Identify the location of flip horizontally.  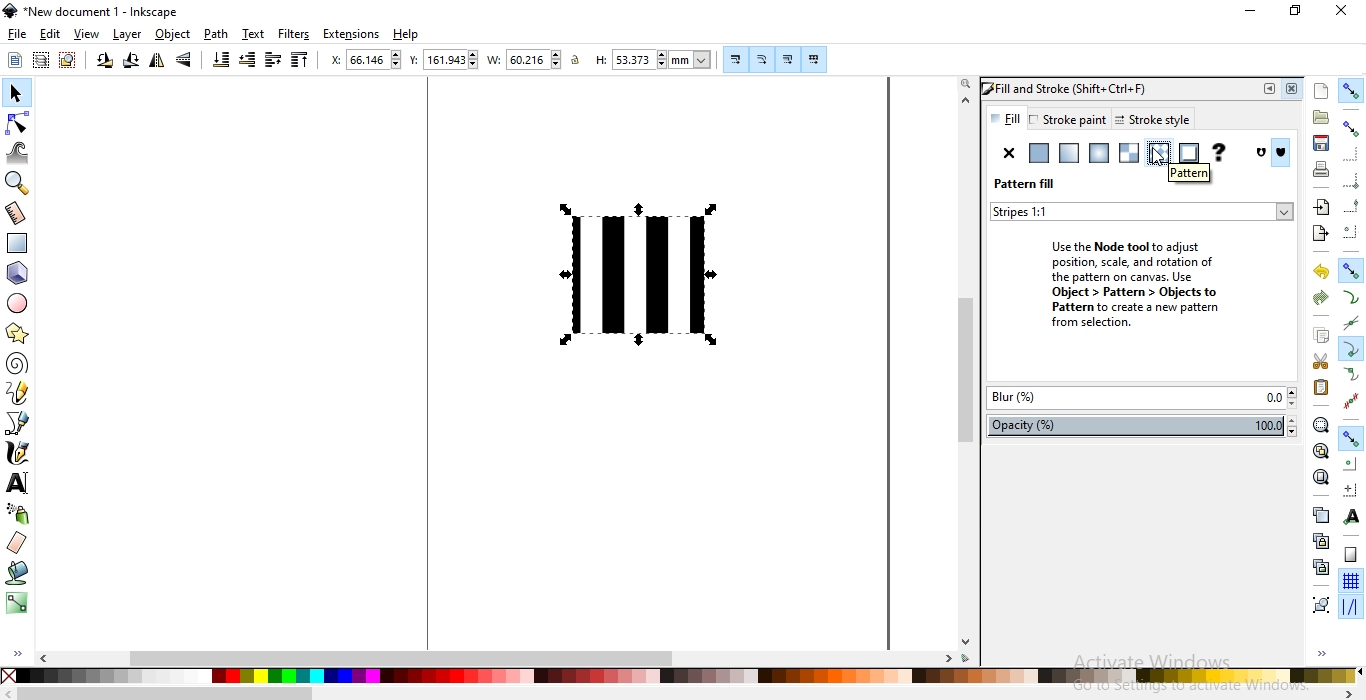
(157, 63).